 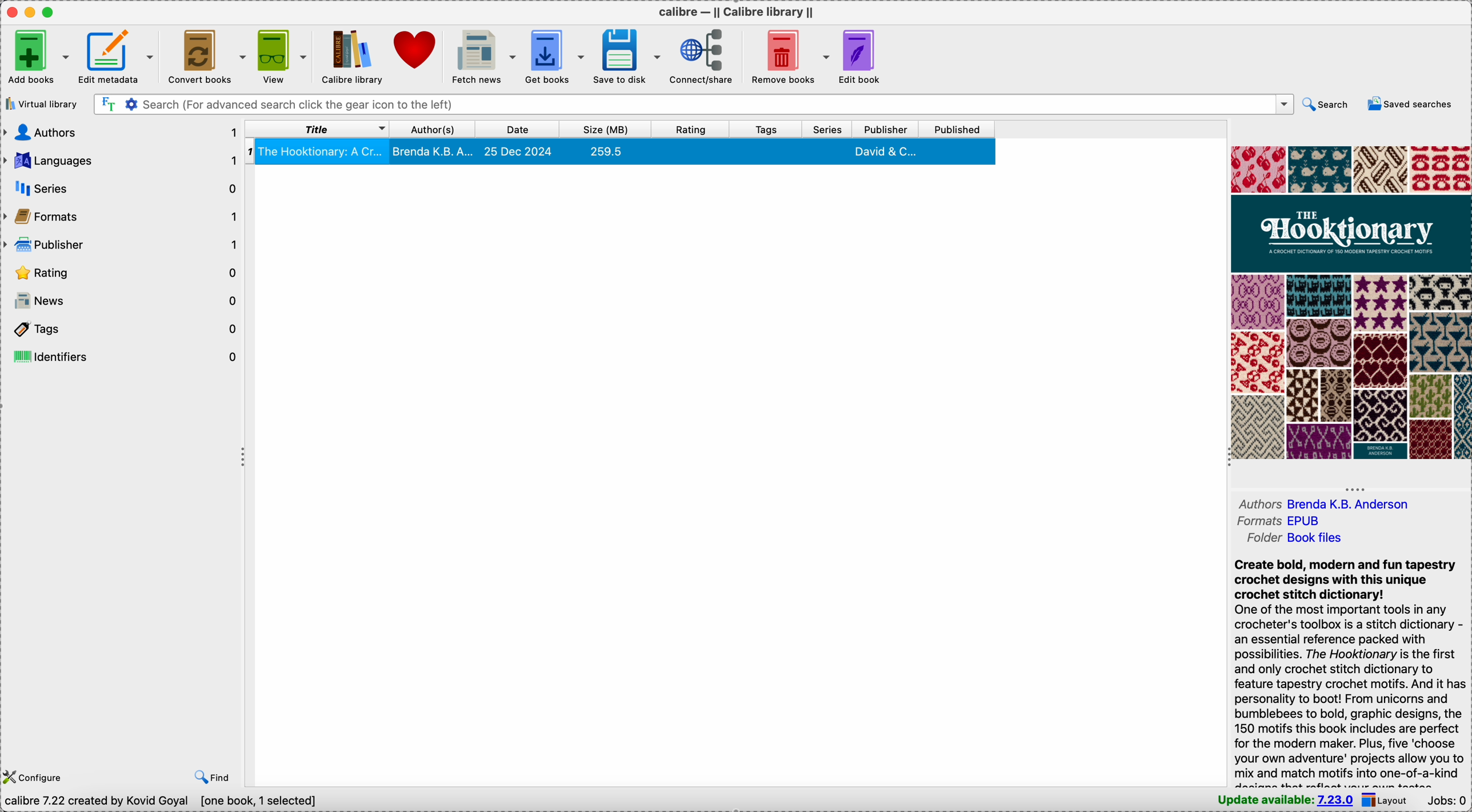 What do you see at coordinates (433, 129) in the screenshot?
I see `author(s)` at bounding box center [433, 129].